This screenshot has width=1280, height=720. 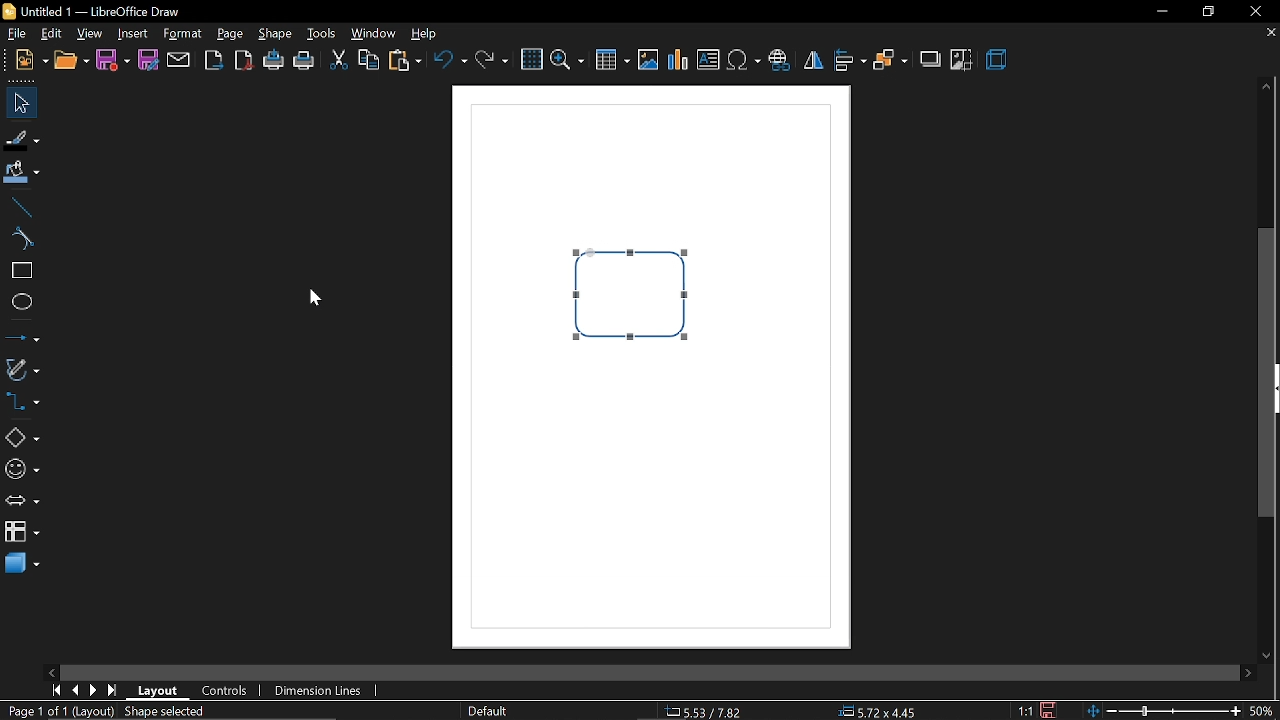 I want to click on 3d effect, so click(x=998, y=61).